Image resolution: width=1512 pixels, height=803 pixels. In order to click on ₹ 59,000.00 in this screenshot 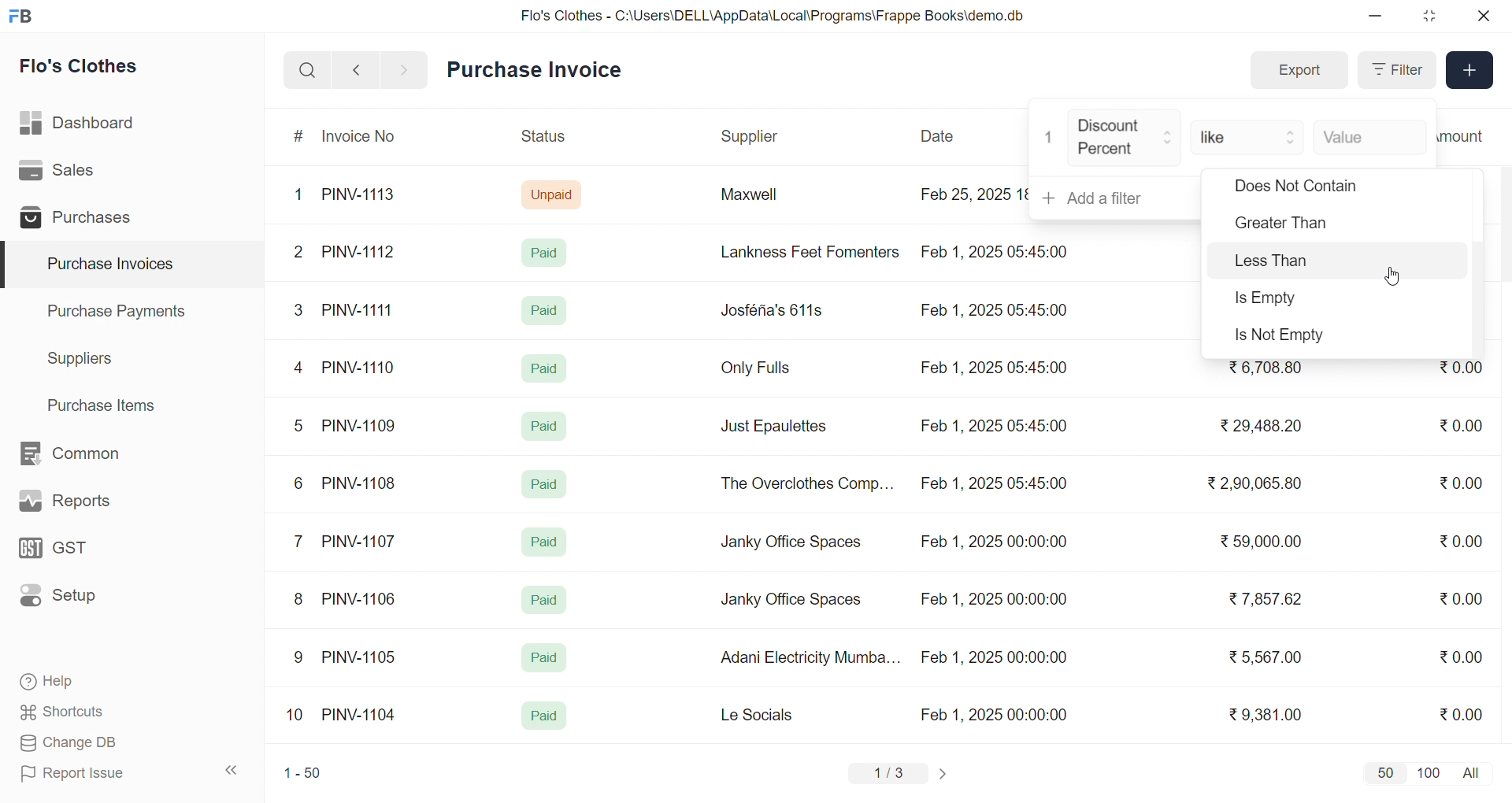, I will do `click(1266, 543)`.